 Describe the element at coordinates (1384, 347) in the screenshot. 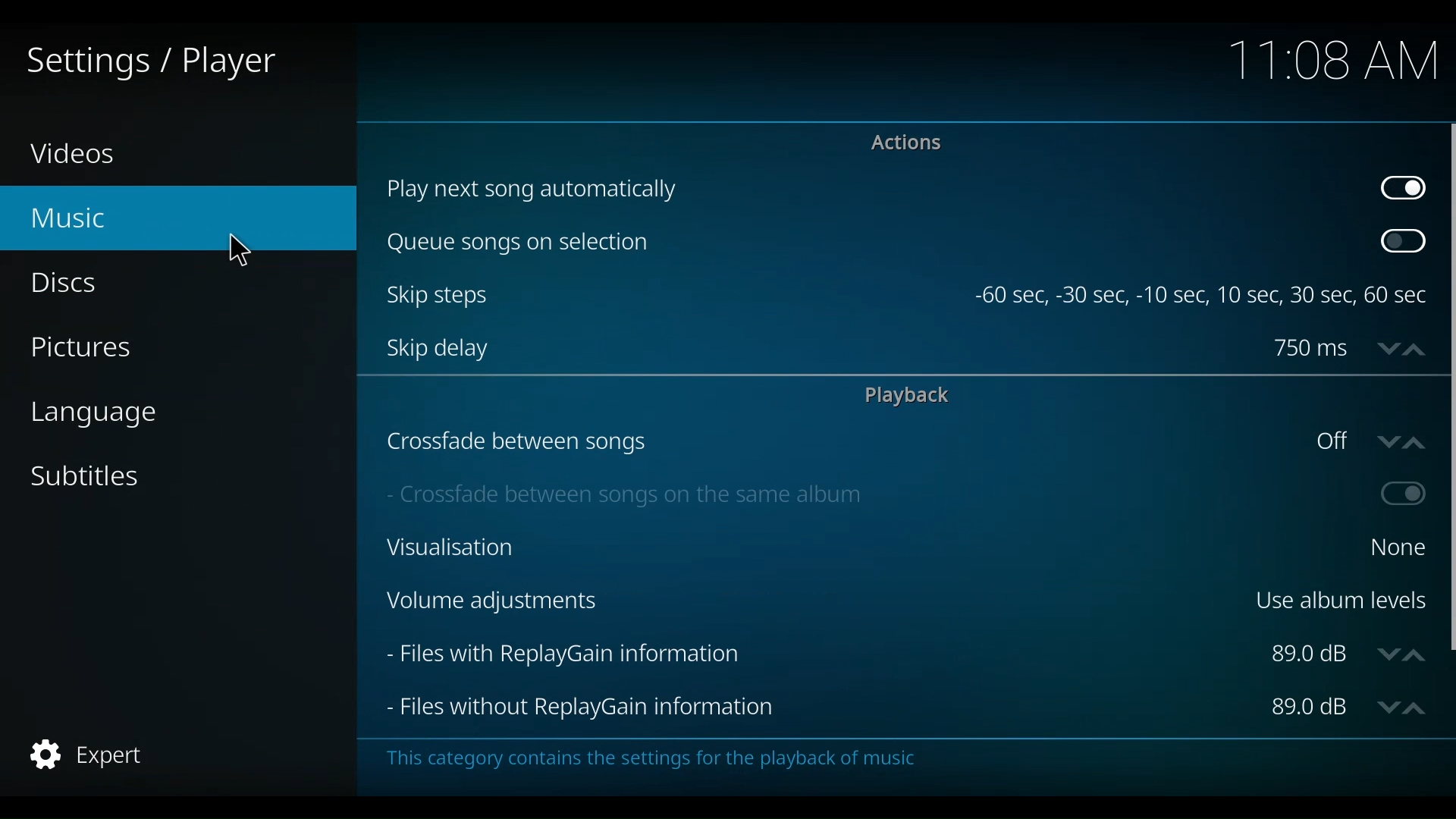

I see `down` at that location.